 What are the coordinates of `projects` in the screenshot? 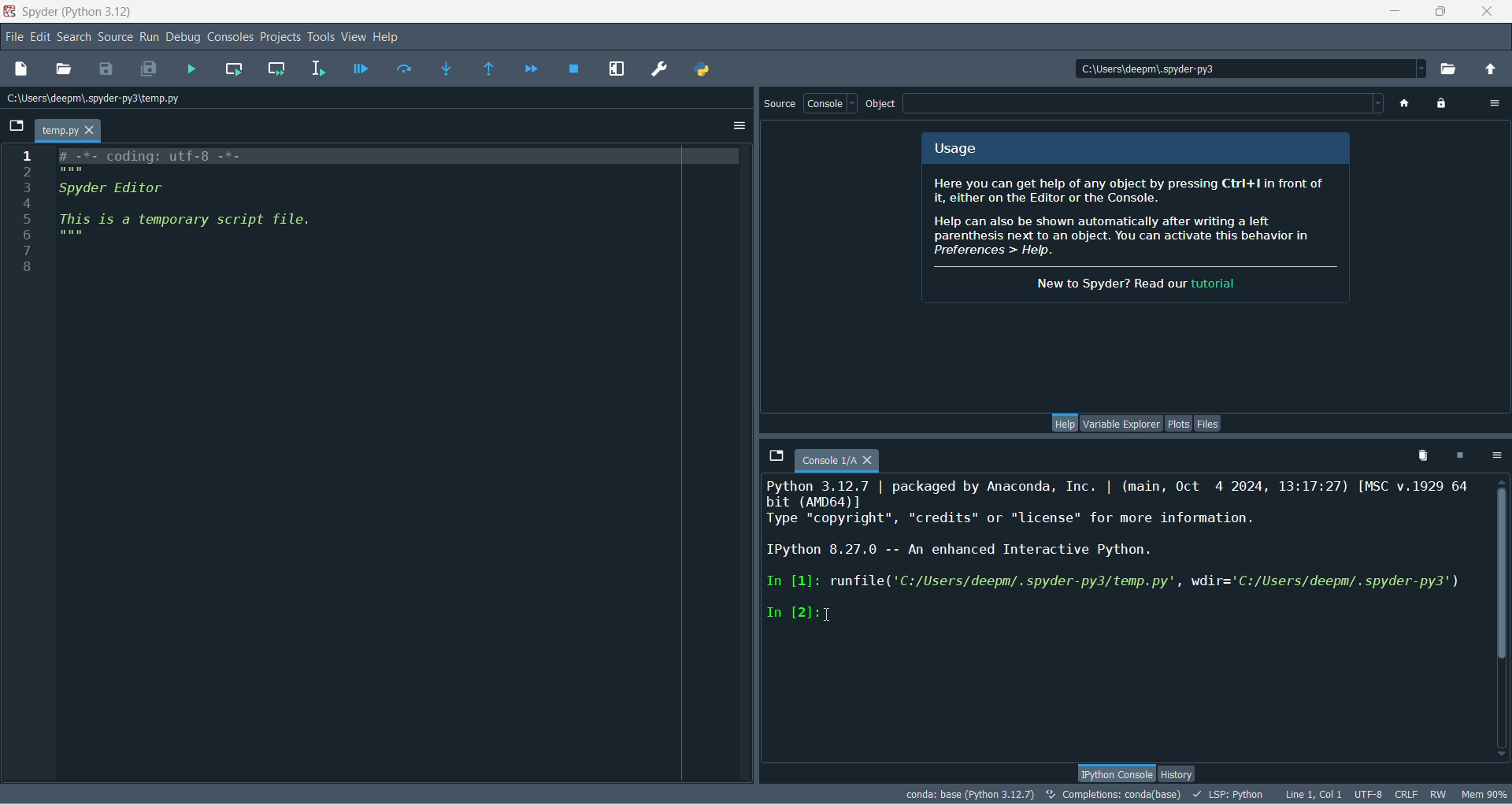 It's located at (278, 39).